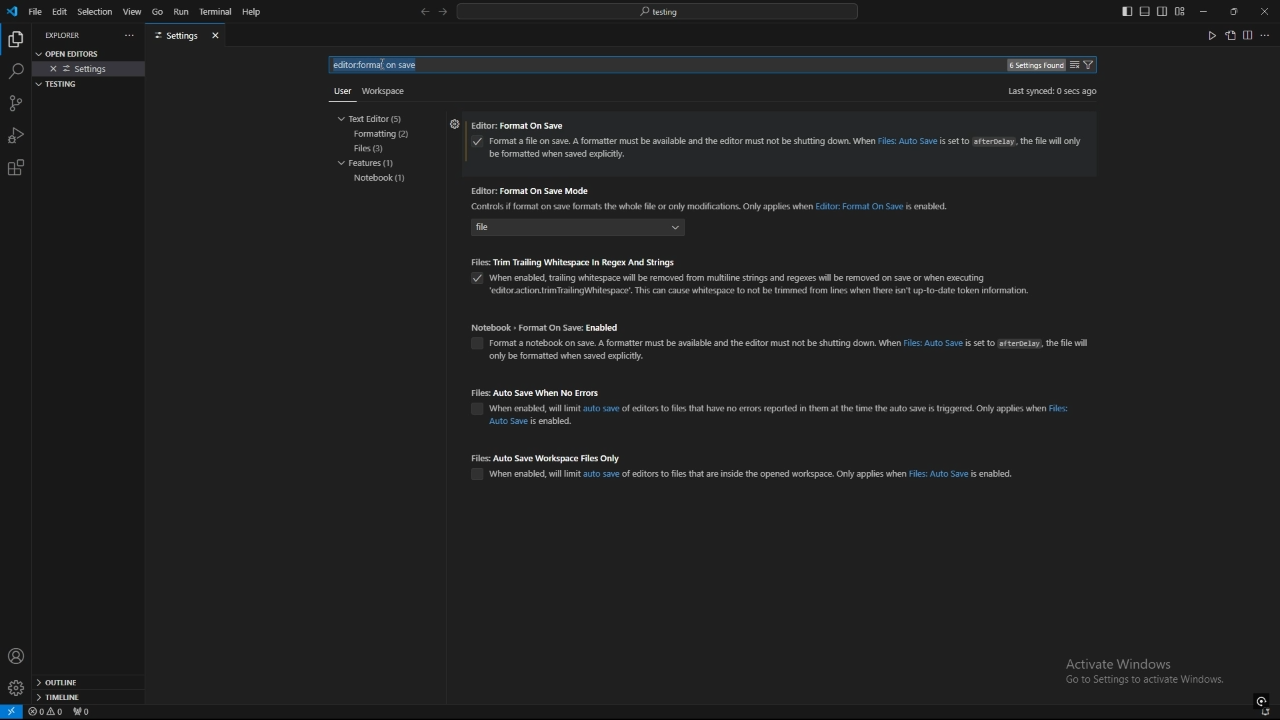 Image resolution: width=1280 pixels, height=720 pixels. I want to click on notebook format on save : enabled informations, so click(825, 349).